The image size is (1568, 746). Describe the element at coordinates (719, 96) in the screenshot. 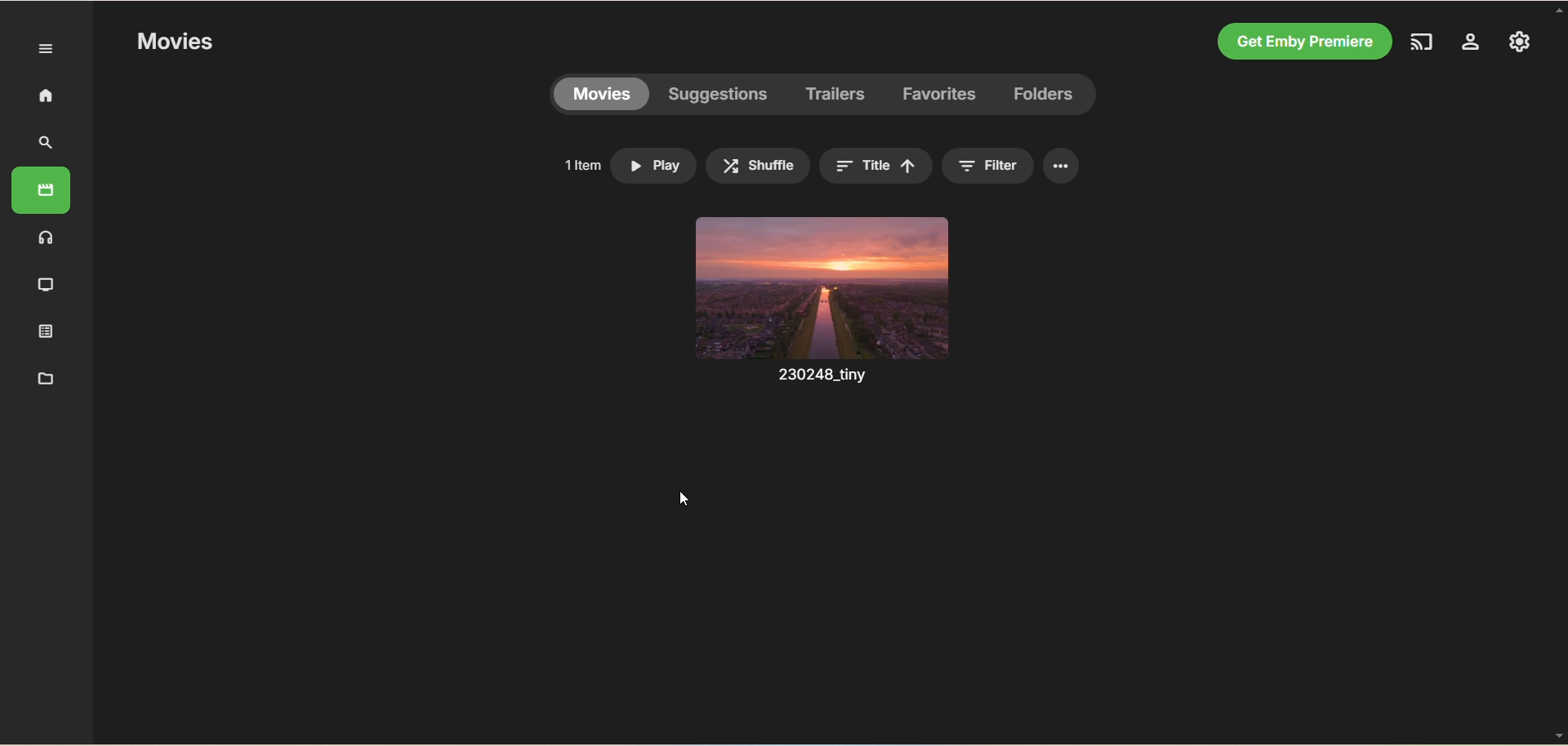

I see `suggestions` at that location.